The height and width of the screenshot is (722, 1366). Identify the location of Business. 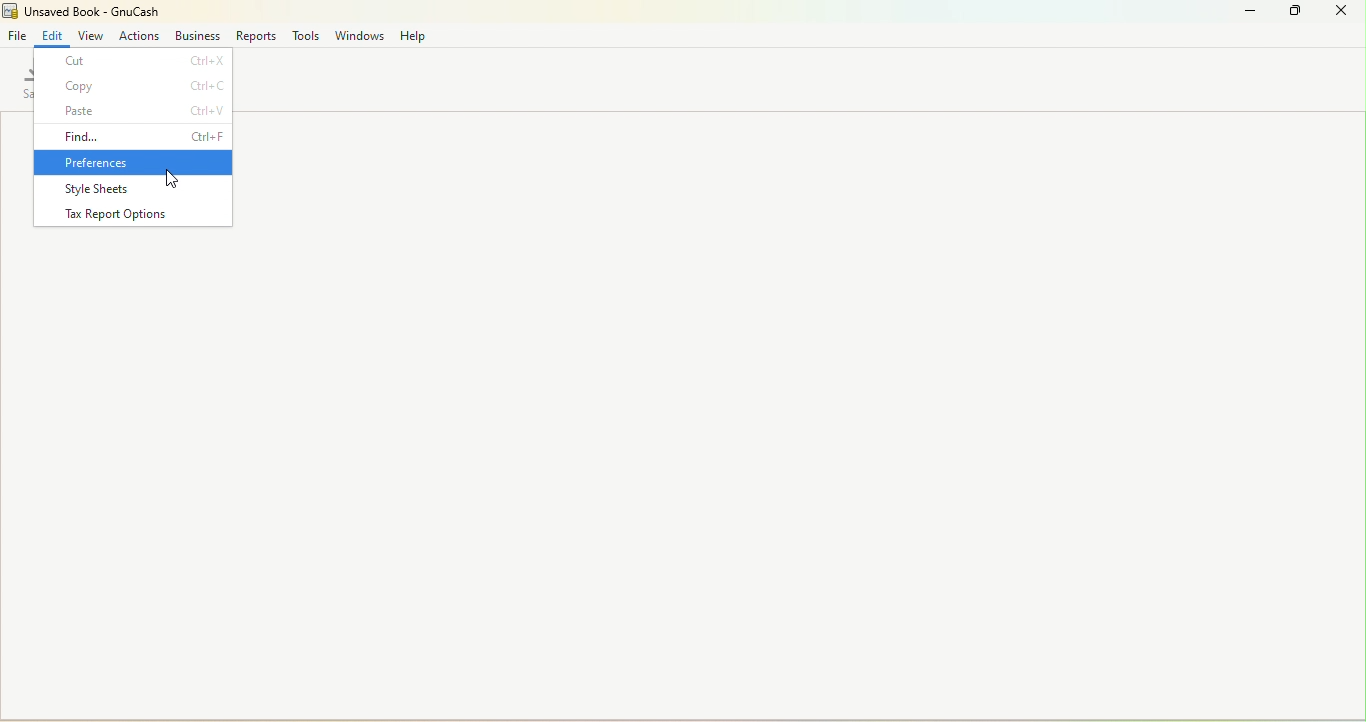
(197, 35).